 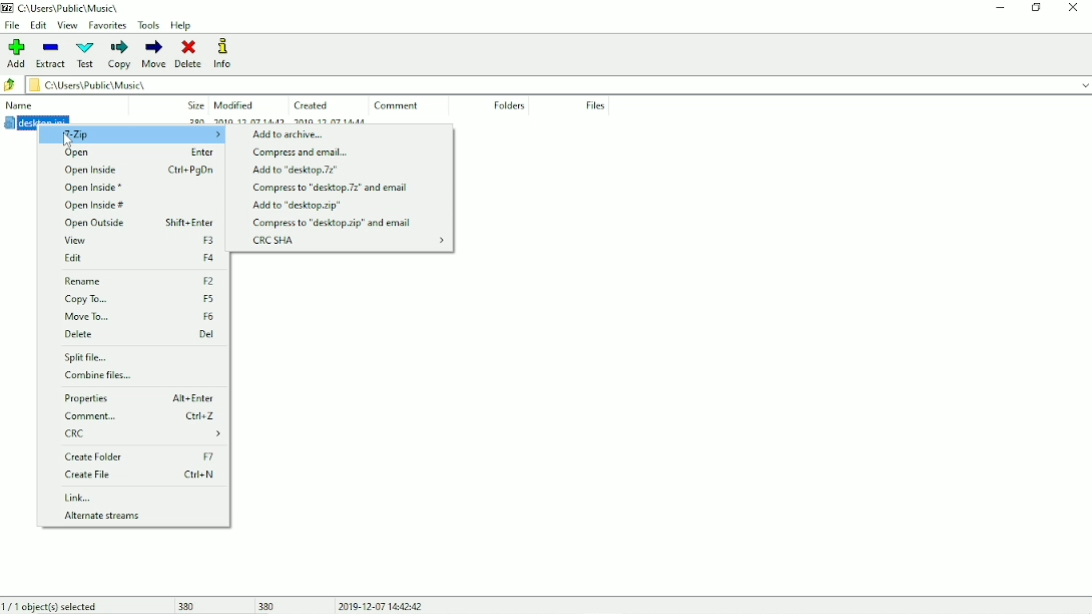 I want to click on Info, so click(x=222, y=53).